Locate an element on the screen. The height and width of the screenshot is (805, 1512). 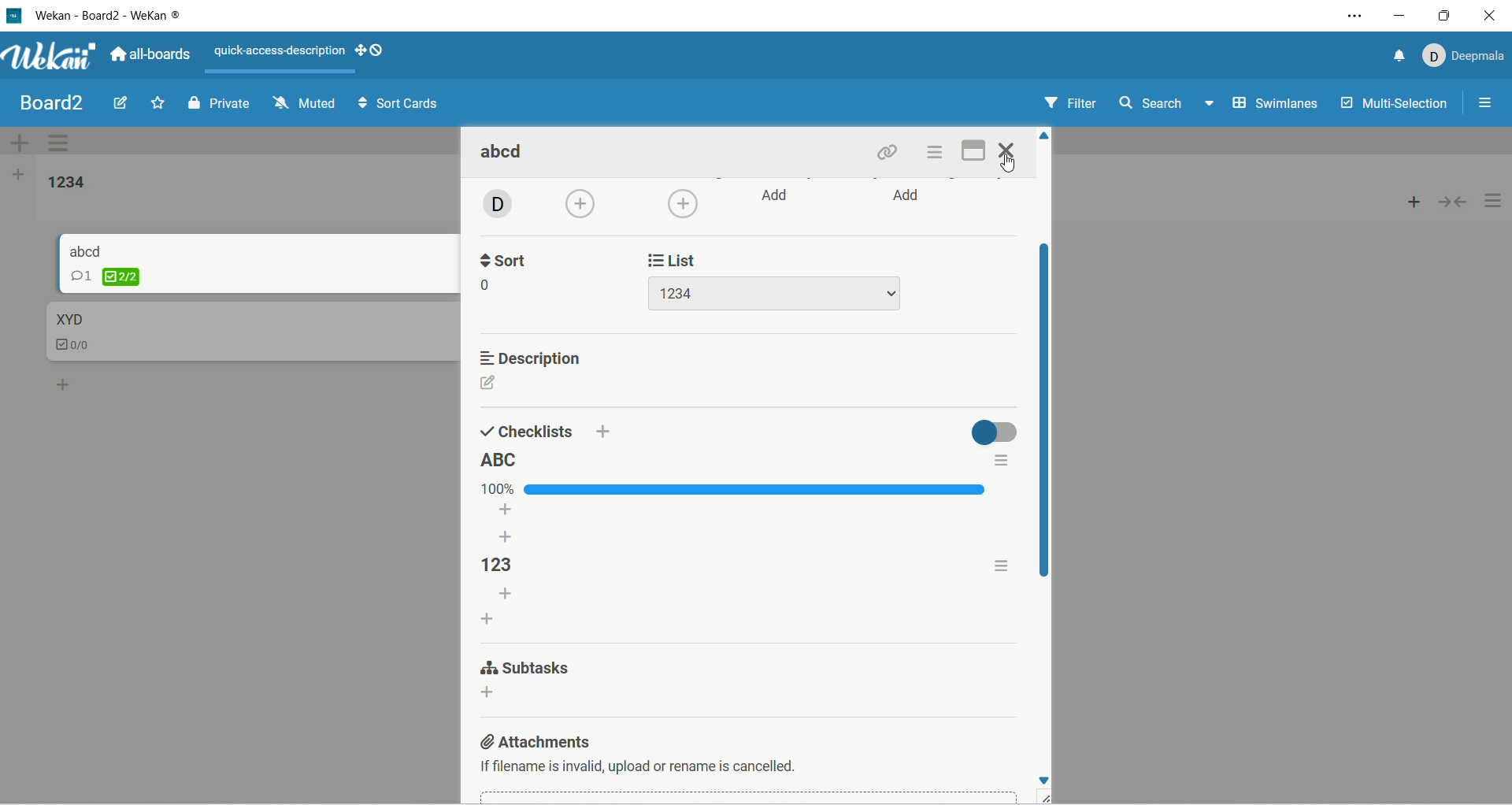
link is located at coordinates (890, 153).